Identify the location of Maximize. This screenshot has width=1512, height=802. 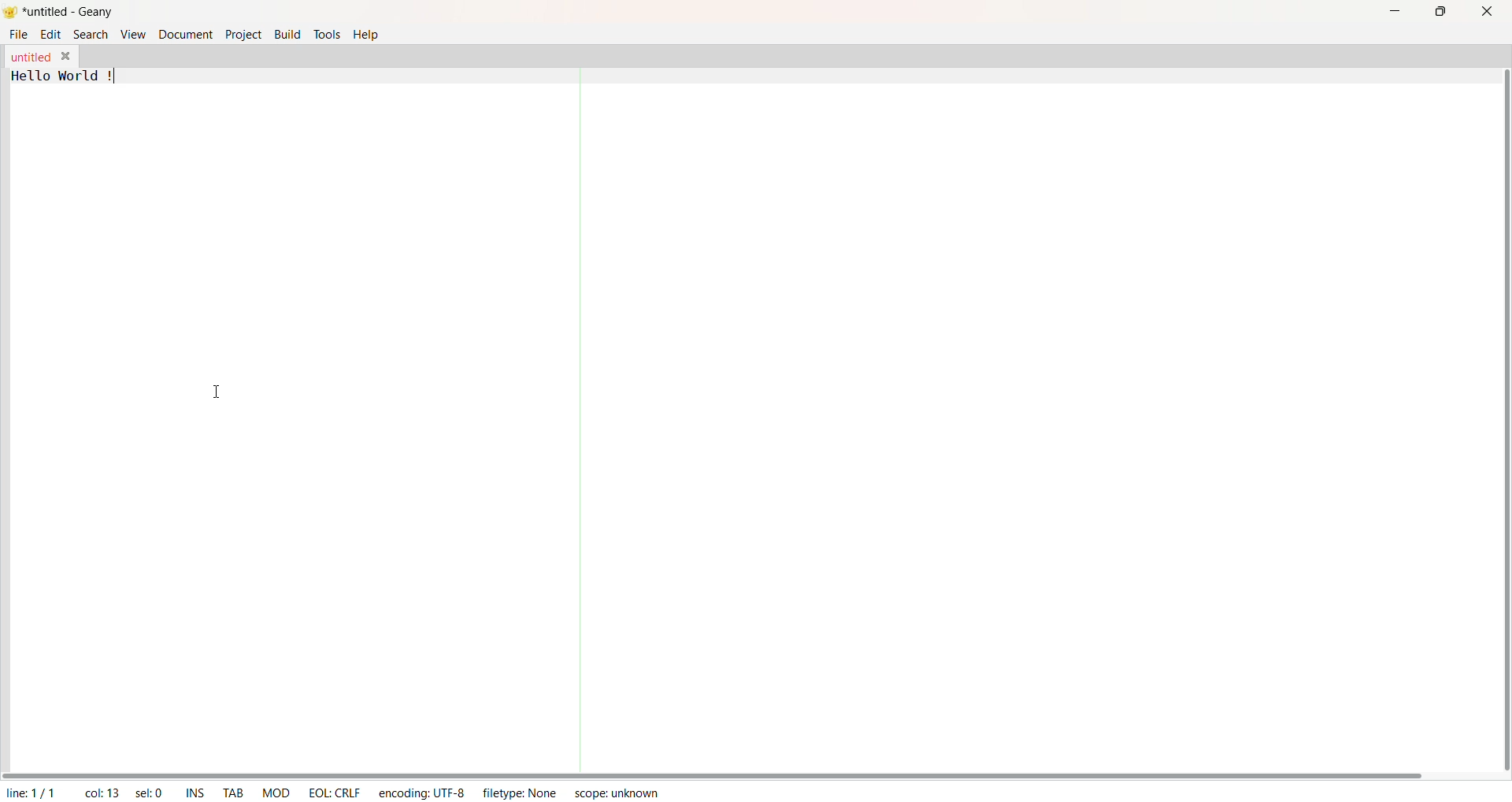
(1440, 12).